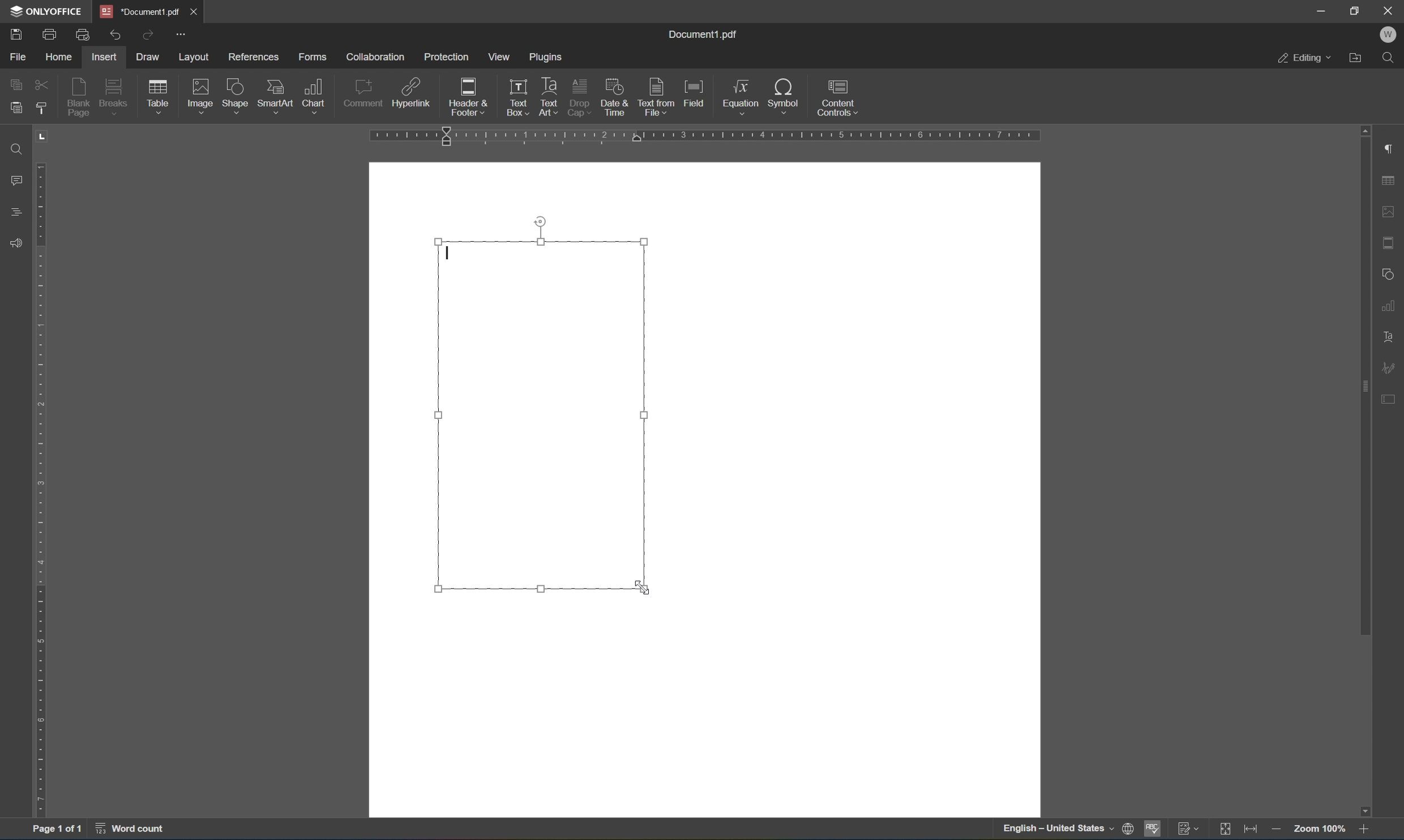  Describe the element at coordinates (41, 470) in the screenshot. I see `ruler` at that location.